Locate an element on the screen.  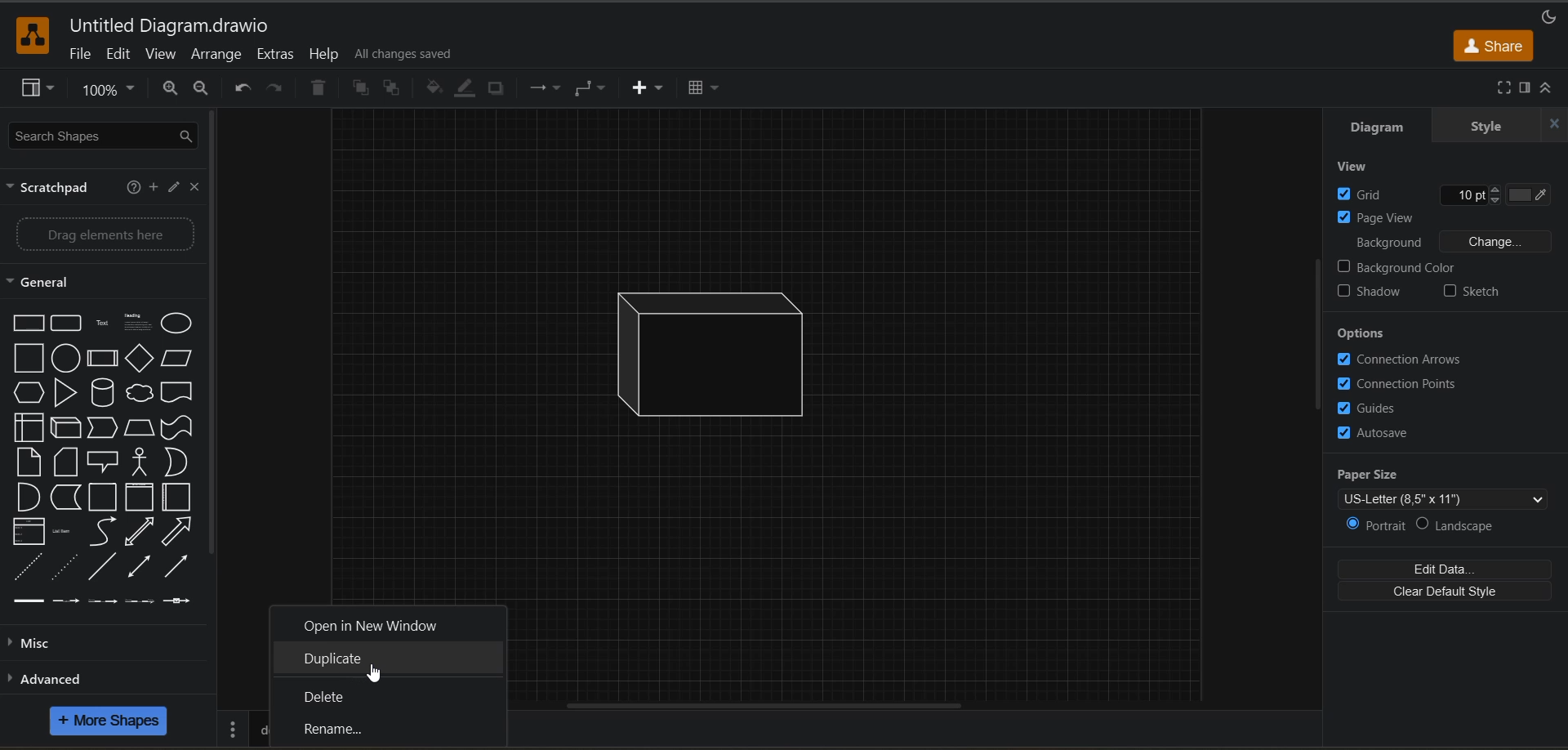
shadow is located at coordinates (496, 87).